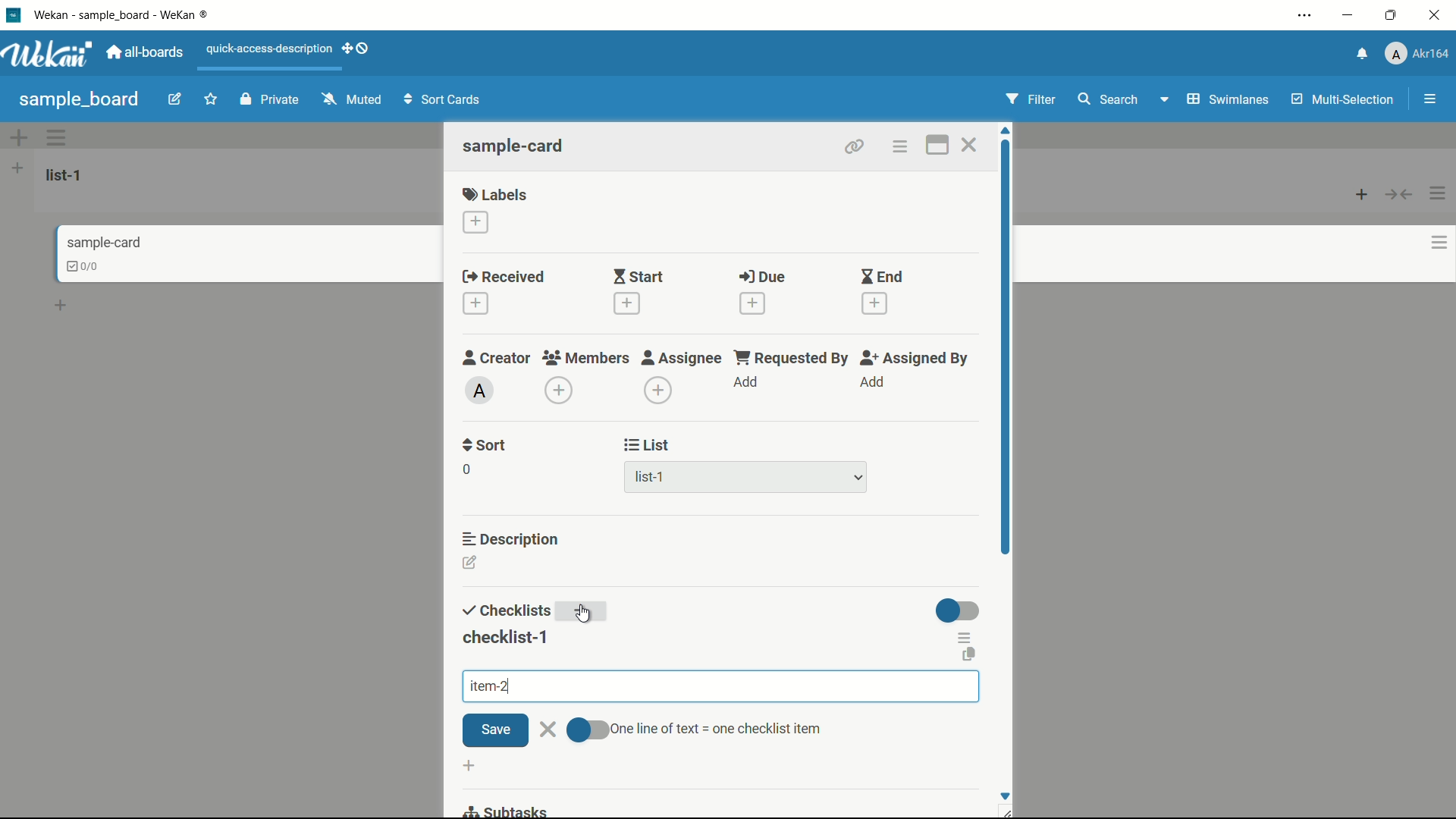 The image size is (1456, 819). Describe the element at coordinates (124, 14) in the screenshot. I see `app name` at that location.